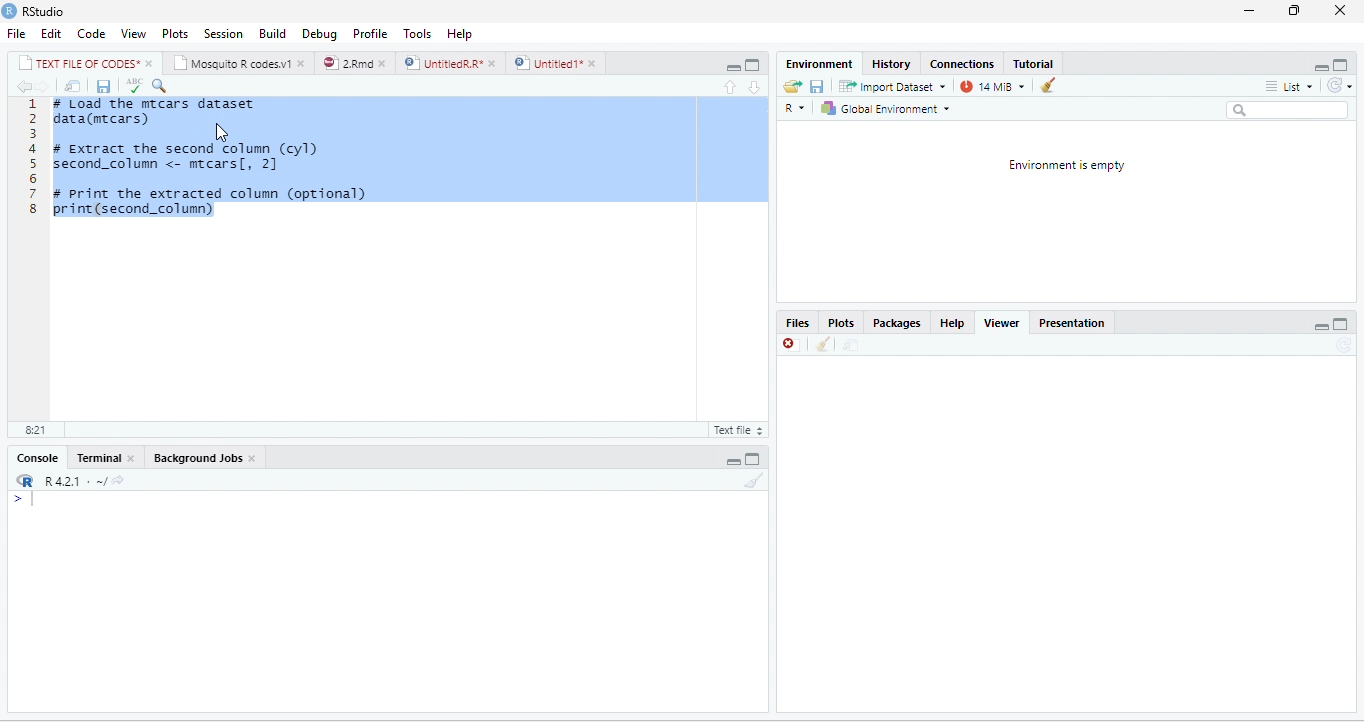 This screenshot has height=722, width=1364. Describe the element at coordinates (195, 457) in the screenshot. I see `‘Background Jobs` at that location.